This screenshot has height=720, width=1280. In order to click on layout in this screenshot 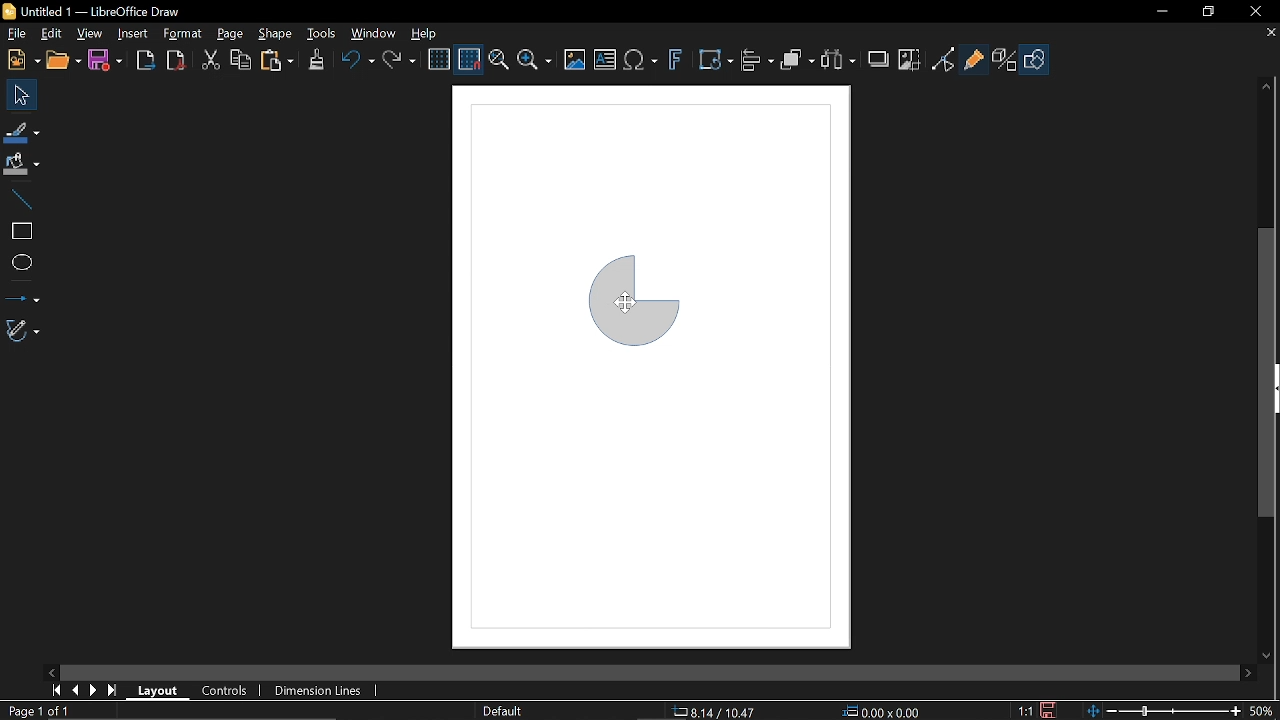, I will do `click(159, 692)`.